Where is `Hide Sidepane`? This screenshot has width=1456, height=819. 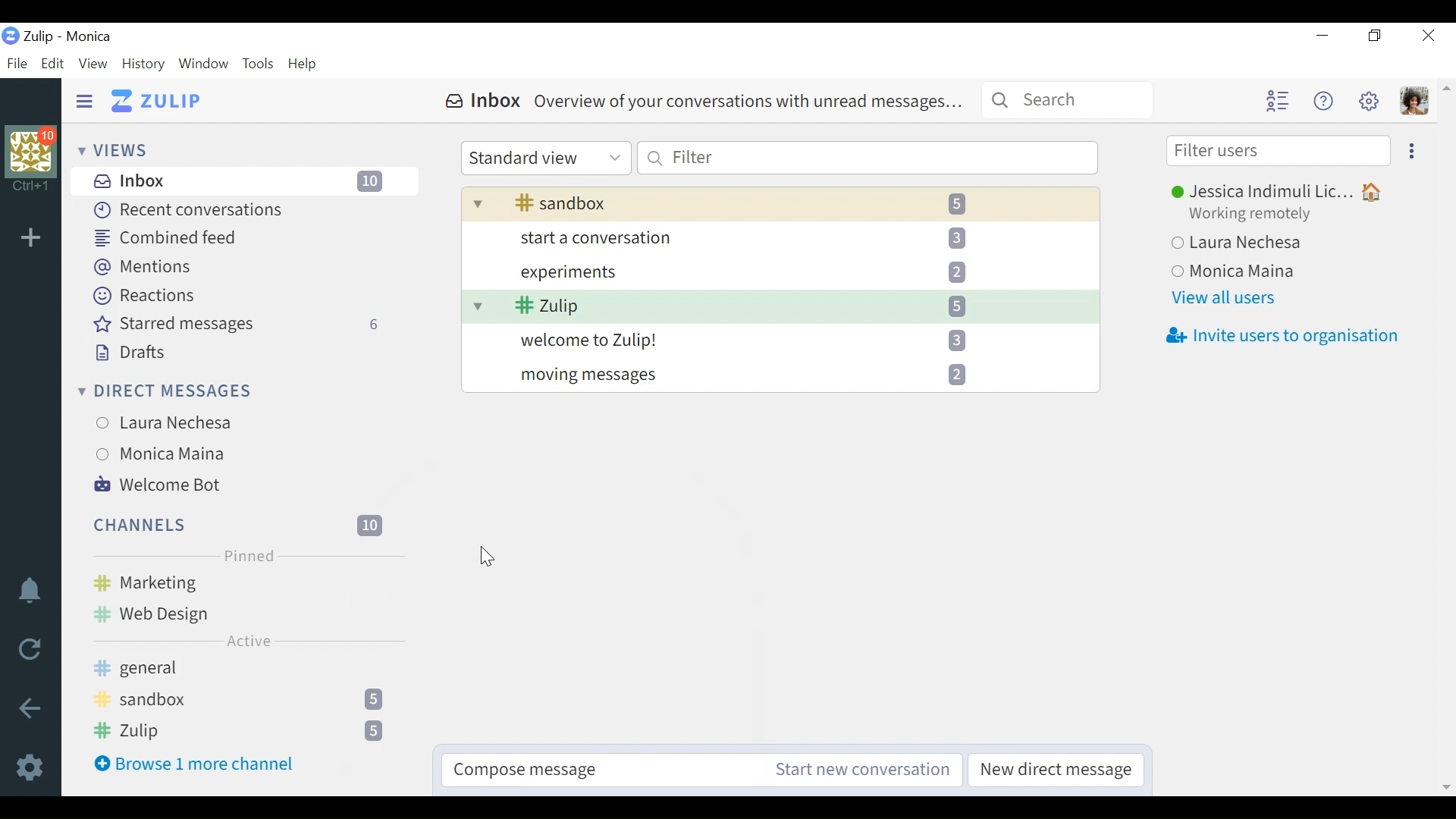 Hide Sidepane is located at coordinates (85, 102).